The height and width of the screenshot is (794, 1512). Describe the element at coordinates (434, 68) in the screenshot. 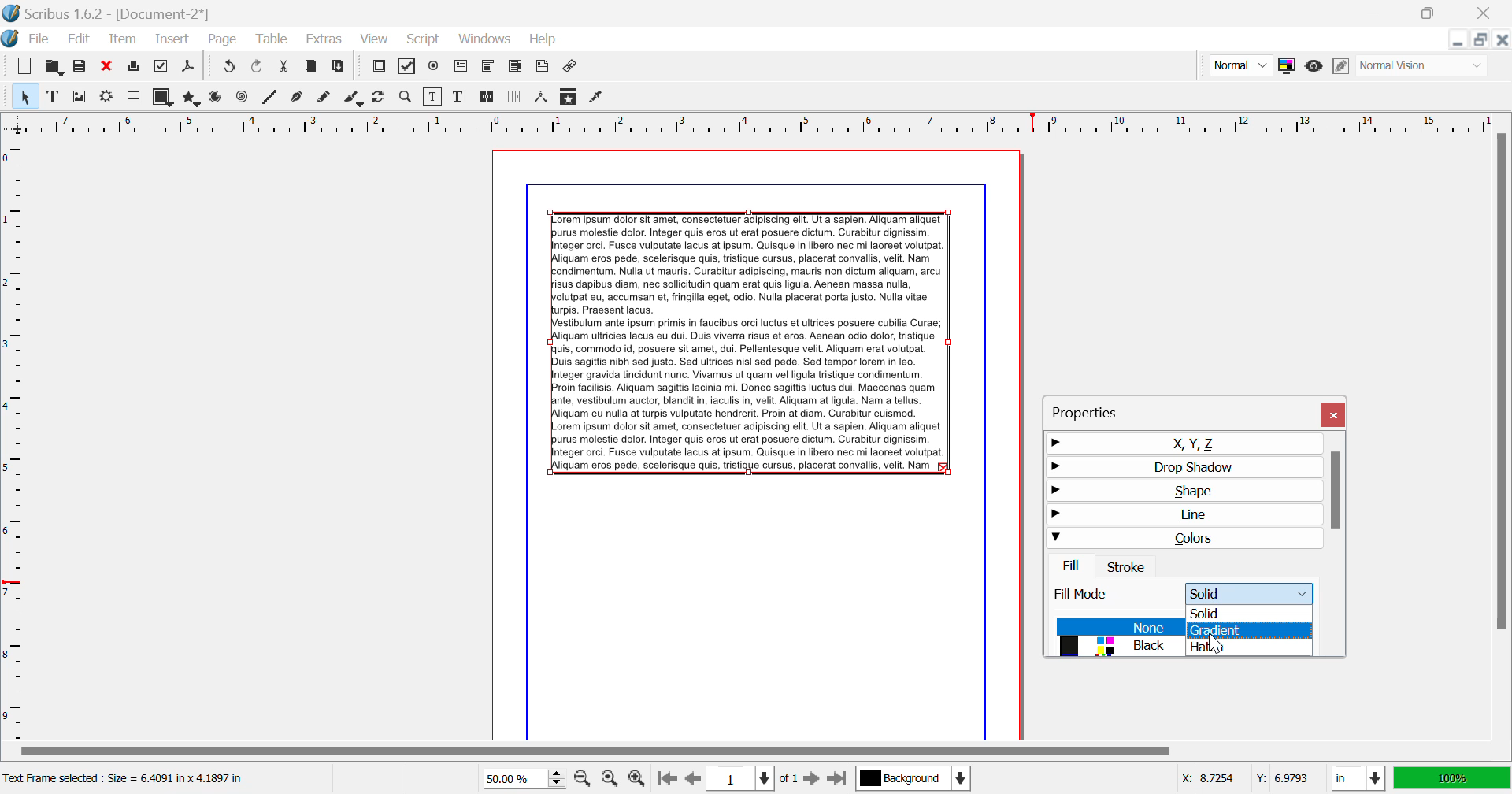

I see `Pdf Radio Button` at that location.